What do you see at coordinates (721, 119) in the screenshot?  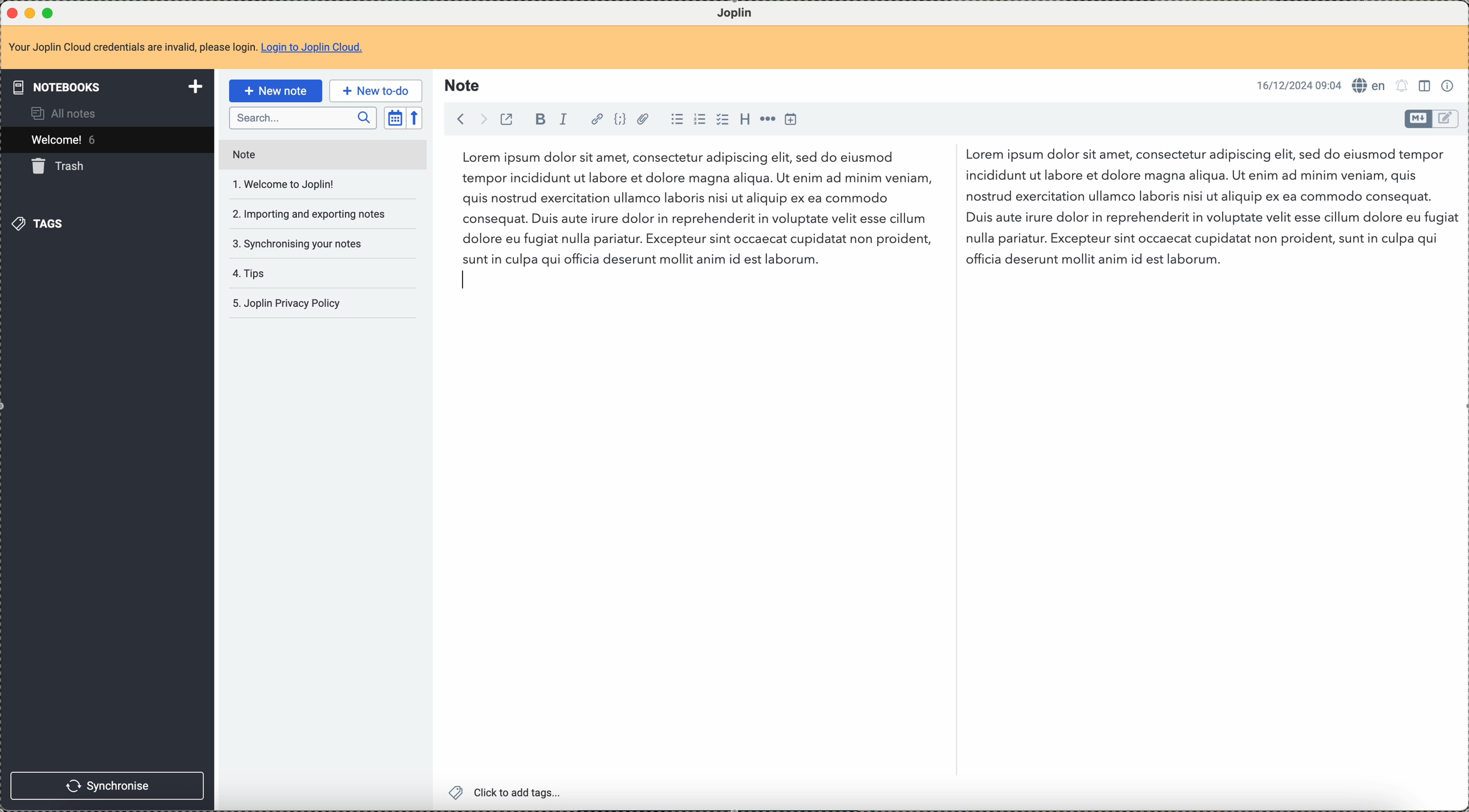 I see `checkbox` at bounding box center [721, 119].